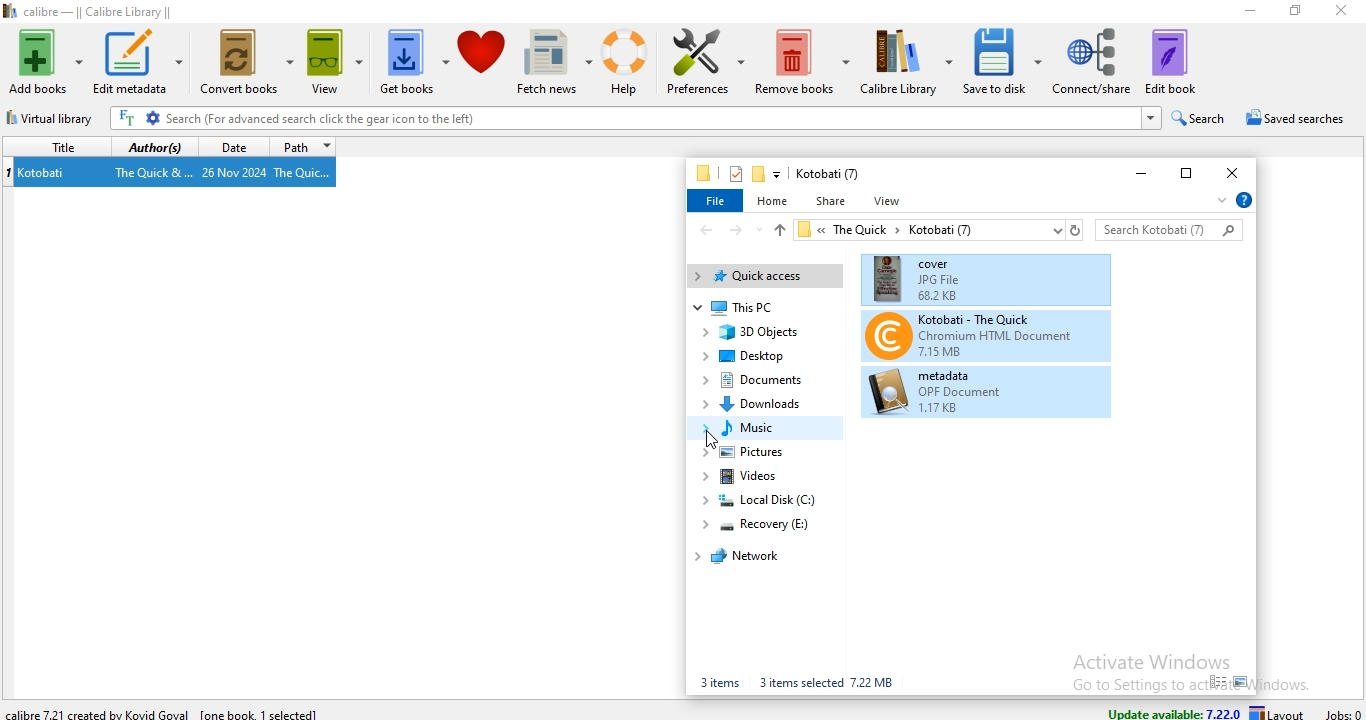  Describe the element at coordinates (1183, 171) in the screenshot. I see `restore` at that location.